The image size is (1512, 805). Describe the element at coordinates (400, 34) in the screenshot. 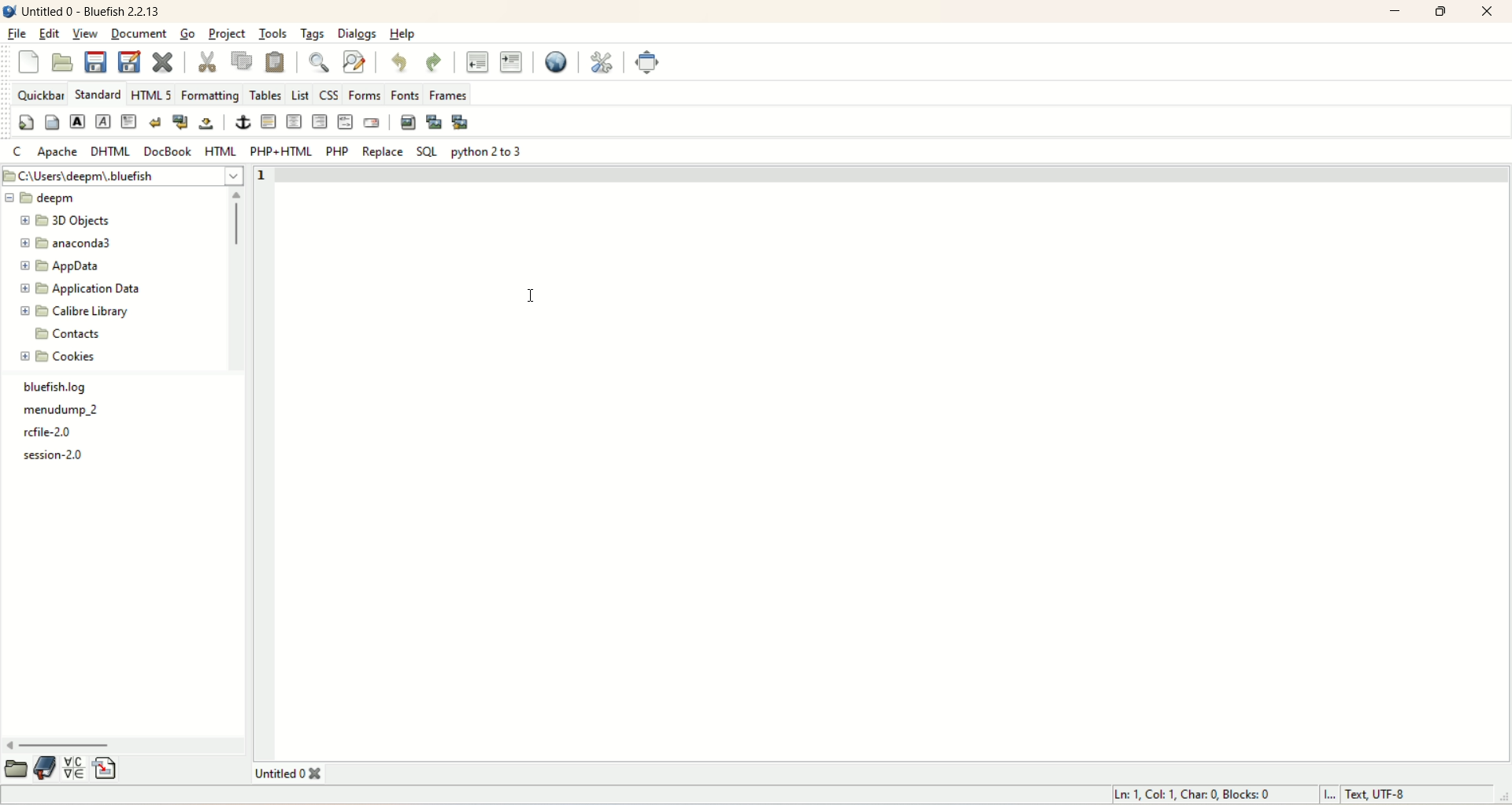

I see `help` at that location.